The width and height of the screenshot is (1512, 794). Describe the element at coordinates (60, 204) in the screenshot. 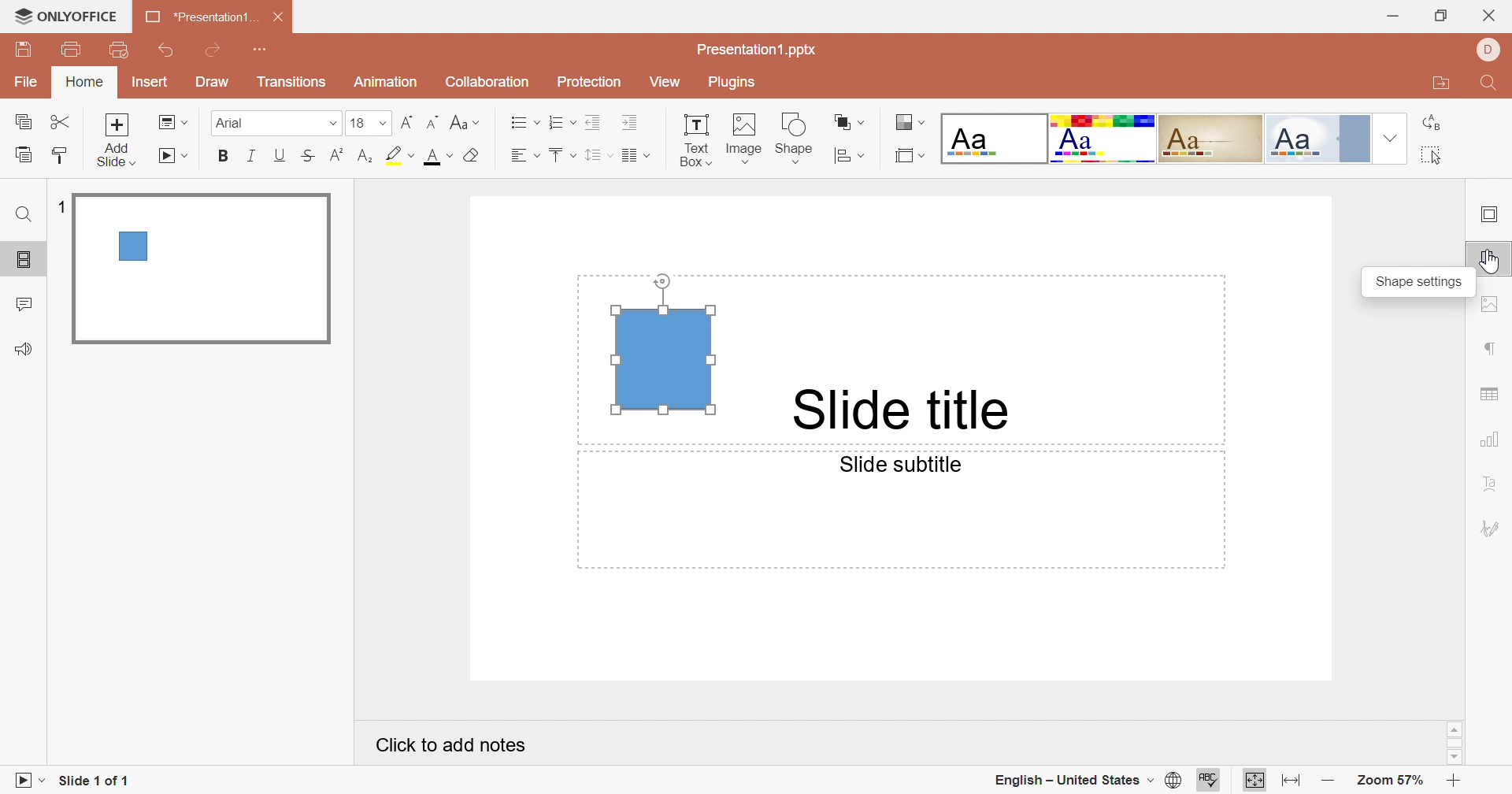

I see `1` at that location.